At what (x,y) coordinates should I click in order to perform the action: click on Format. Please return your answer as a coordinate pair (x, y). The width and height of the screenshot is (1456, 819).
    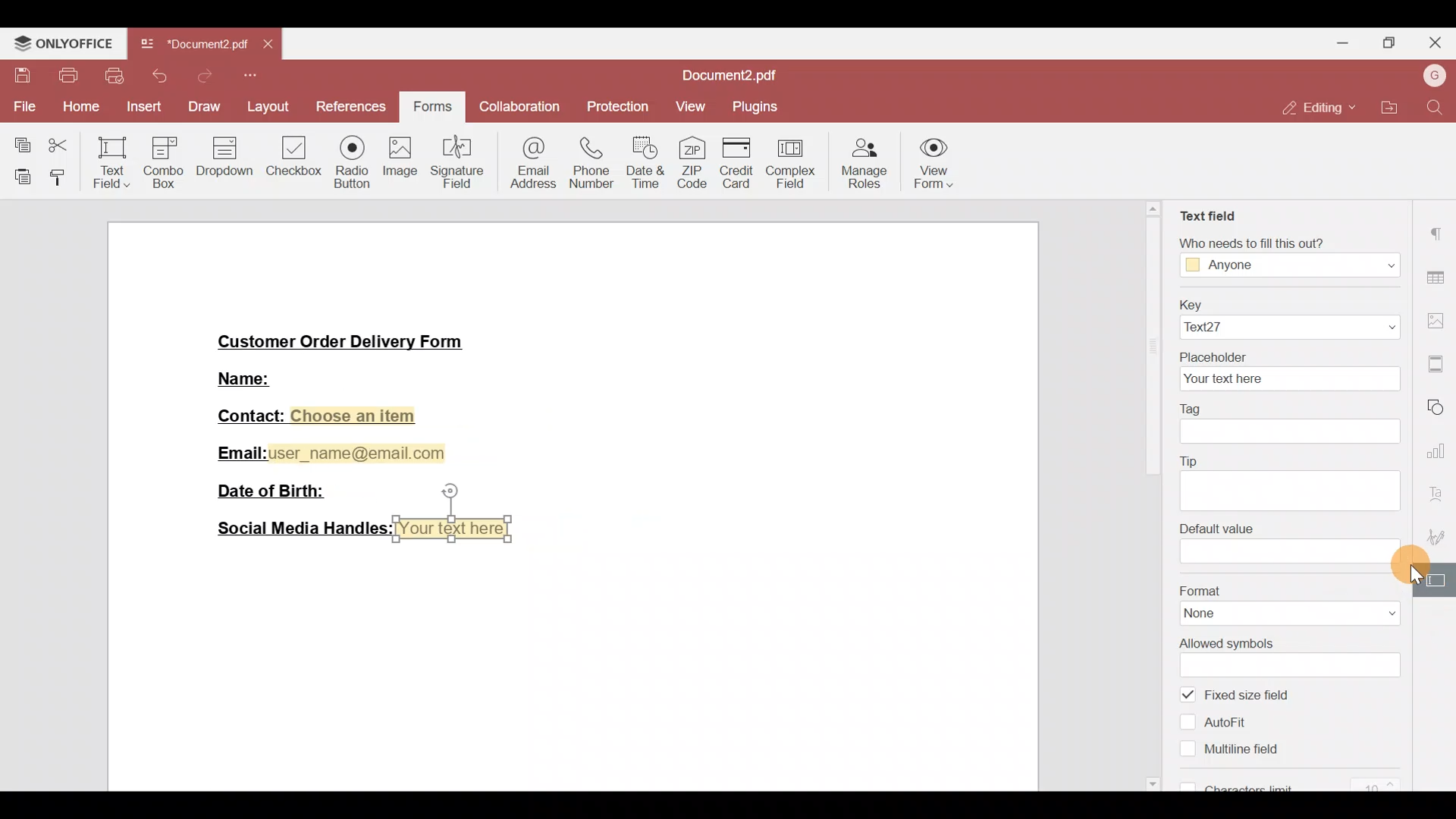
    Looking at the image, I should click on (1286, 603).